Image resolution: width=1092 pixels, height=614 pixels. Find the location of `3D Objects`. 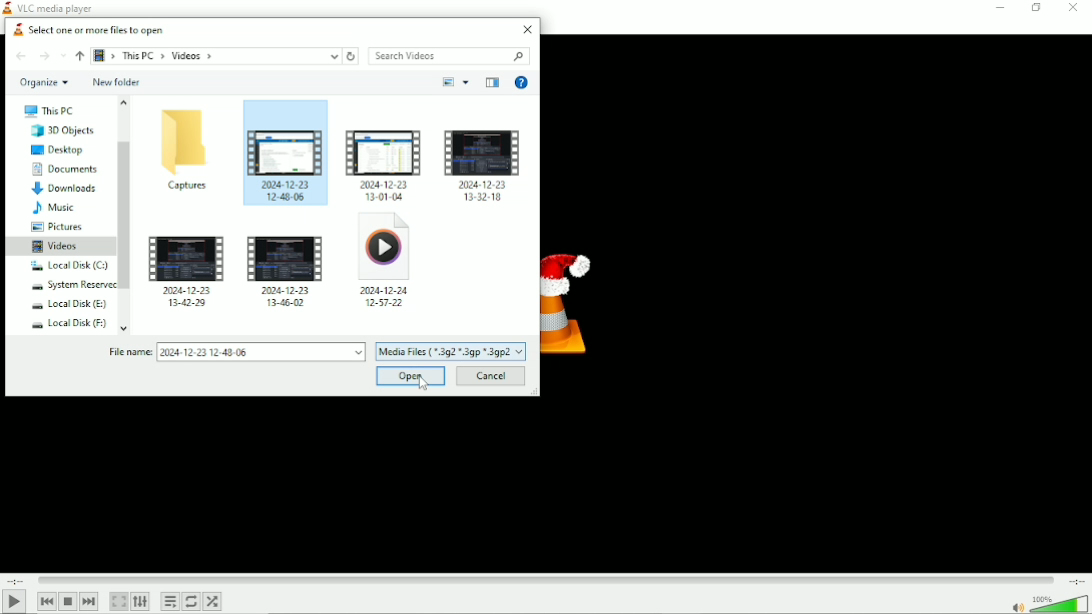

3D Objects is located at coordinates (59, 131).